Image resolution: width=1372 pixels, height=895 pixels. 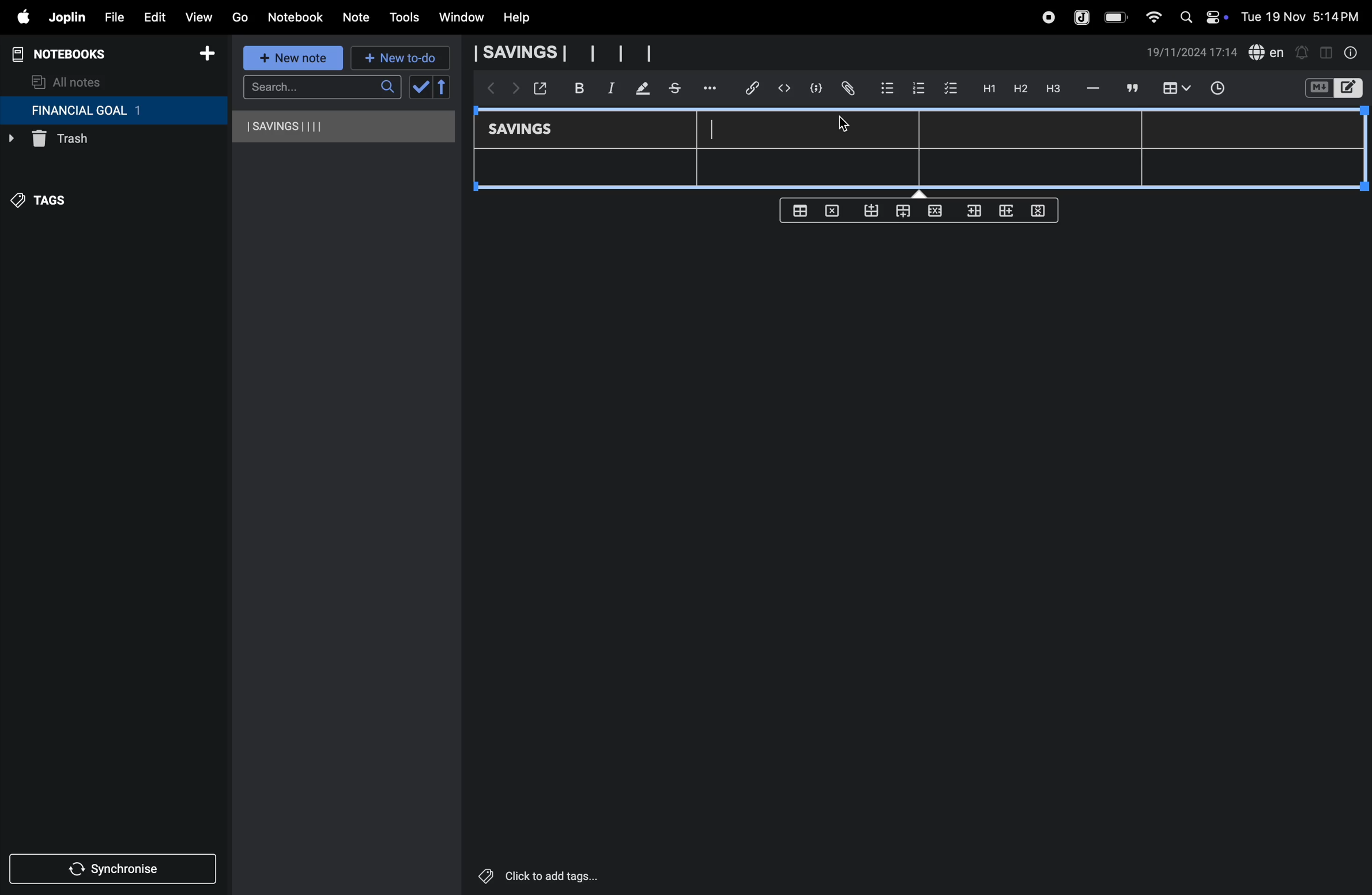 I want to click on cursor, so click(x=842, y=122).